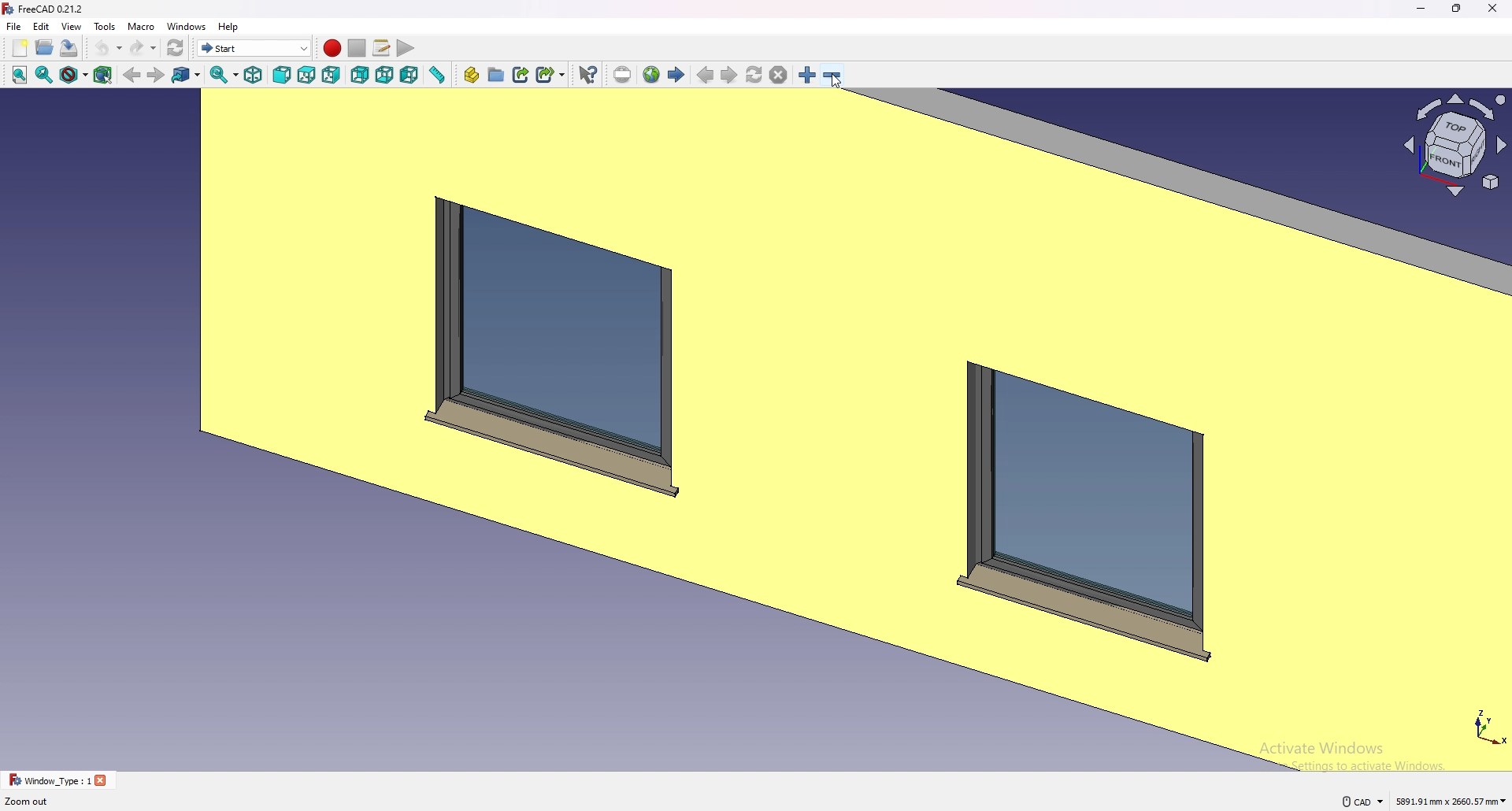 The image size is (1512, 811). What do you see at coordinates (696, 429) in the screenshot?
I see `workspace` at bounding box center [696, 429].